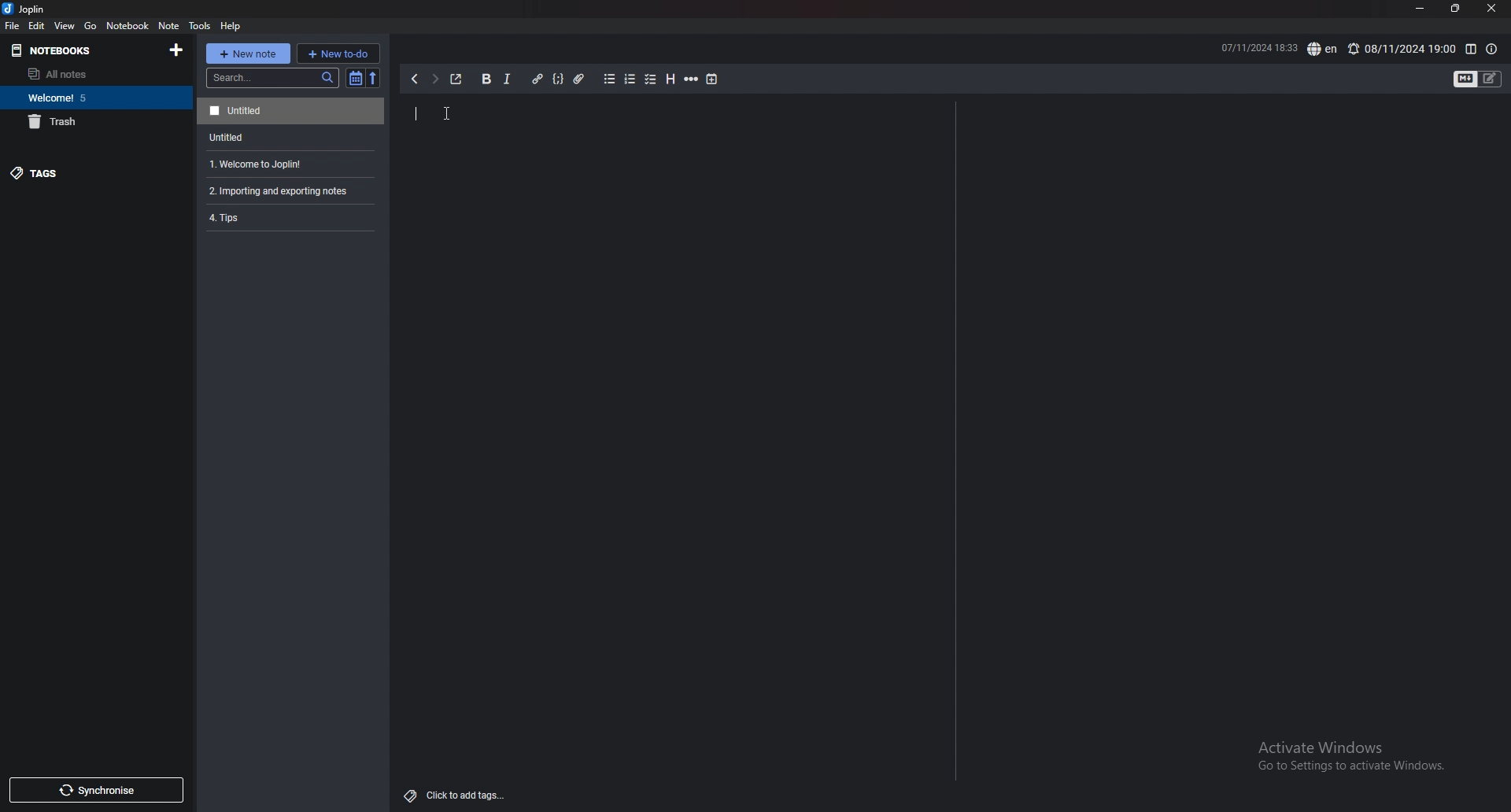  I want to click on trash, so click(93, 121).